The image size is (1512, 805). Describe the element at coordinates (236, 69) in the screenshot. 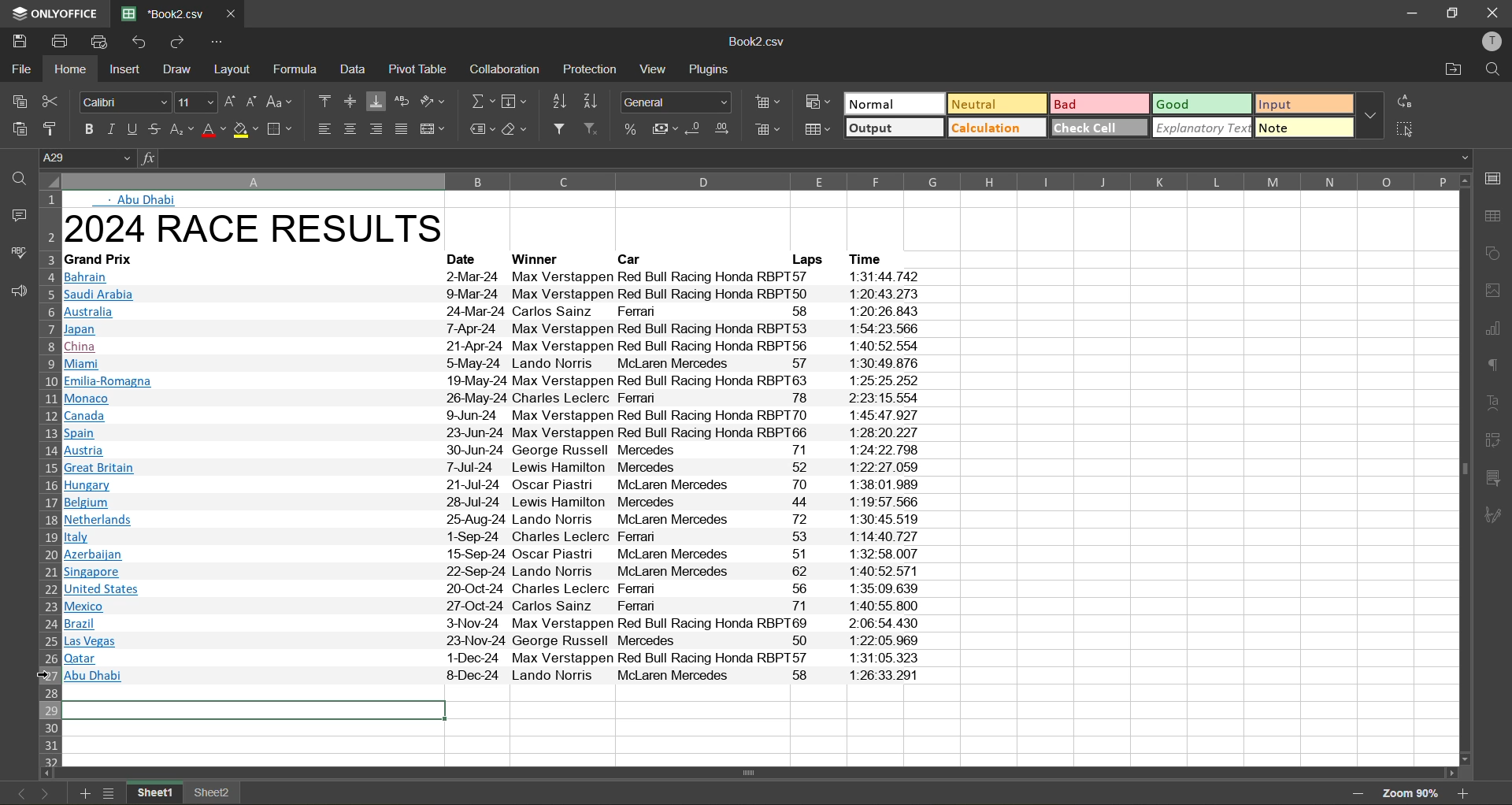

I see `layout` at that location.